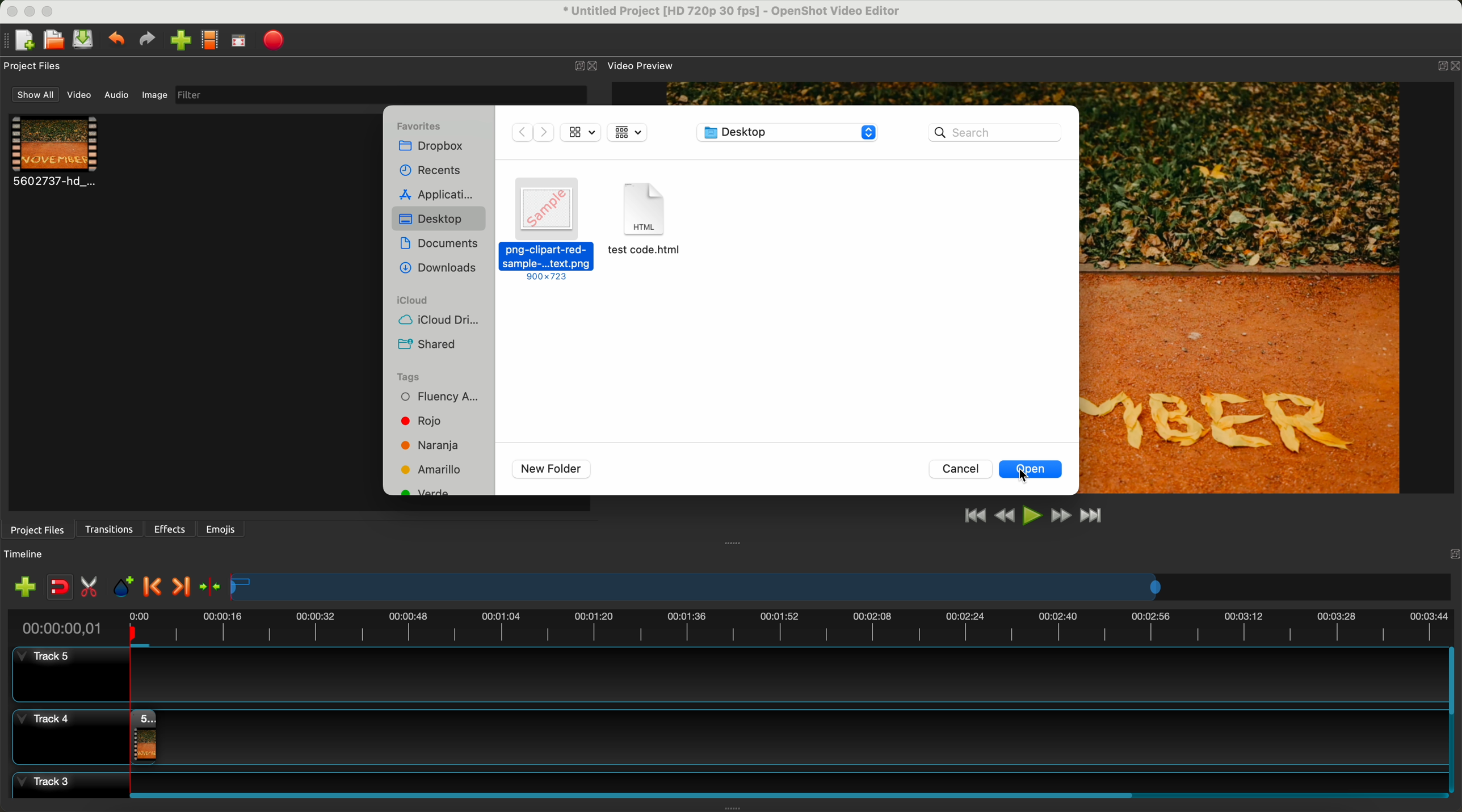 The width and height of the screenshot is (1462, 812). What do you see at coordinates (1032, 515) in the screenshot?
I see `play` at bounding box center [1032, 515].